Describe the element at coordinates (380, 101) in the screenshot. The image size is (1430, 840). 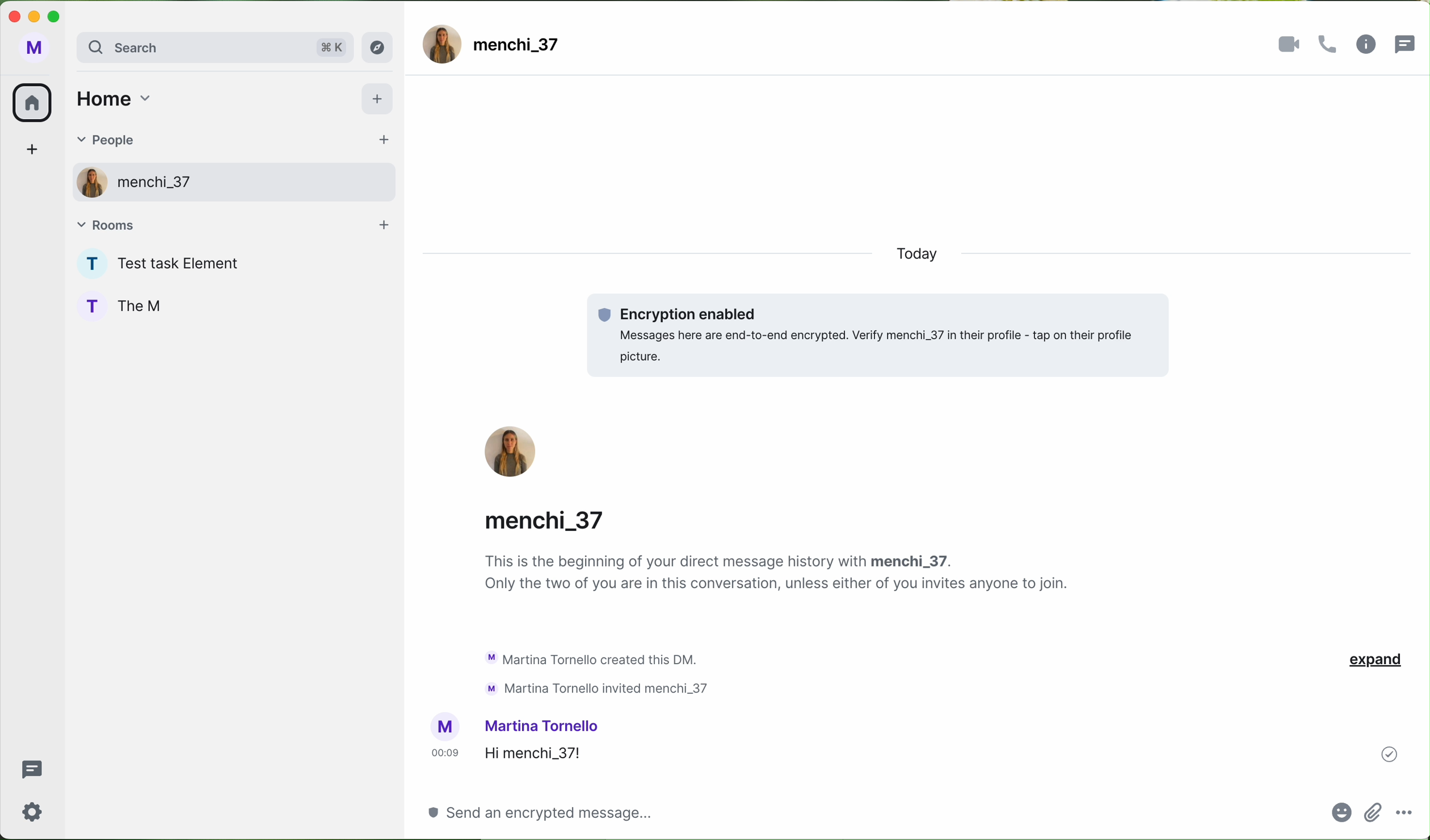
I see `add` at that location.